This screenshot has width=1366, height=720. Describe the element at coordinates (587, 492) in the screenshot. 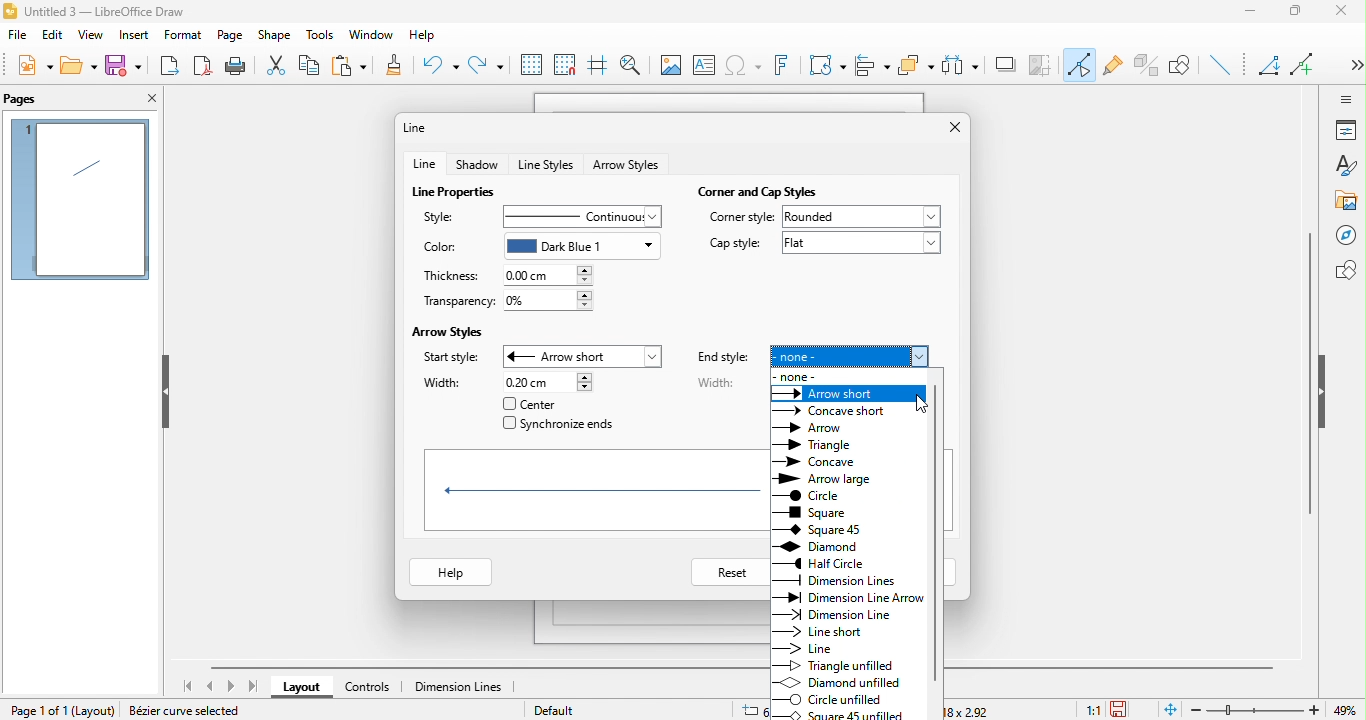

I see `shapes` at that location.